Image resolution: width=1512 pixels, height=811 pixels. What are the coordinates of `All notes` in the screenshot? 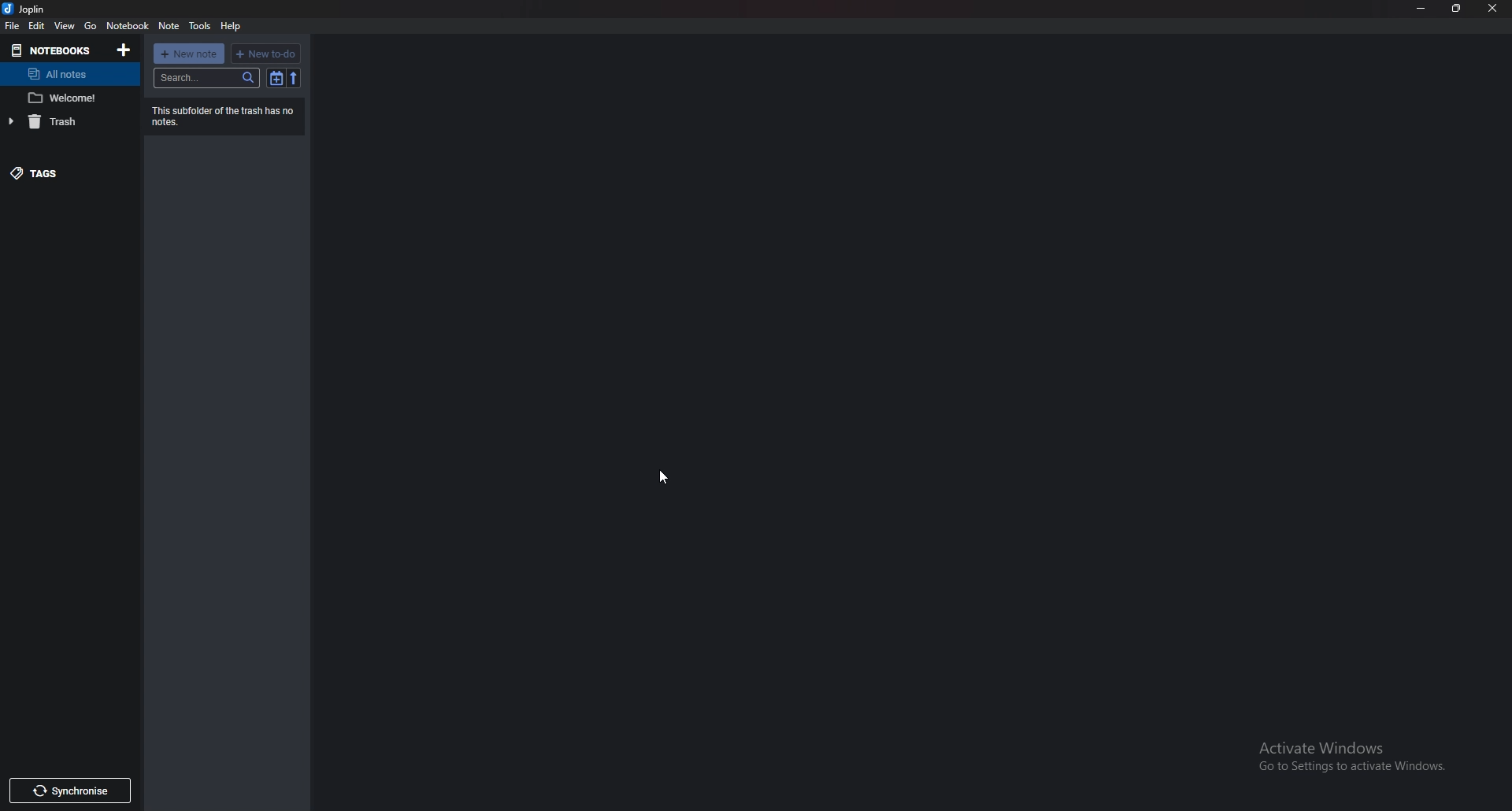 It's located at (67, 73).